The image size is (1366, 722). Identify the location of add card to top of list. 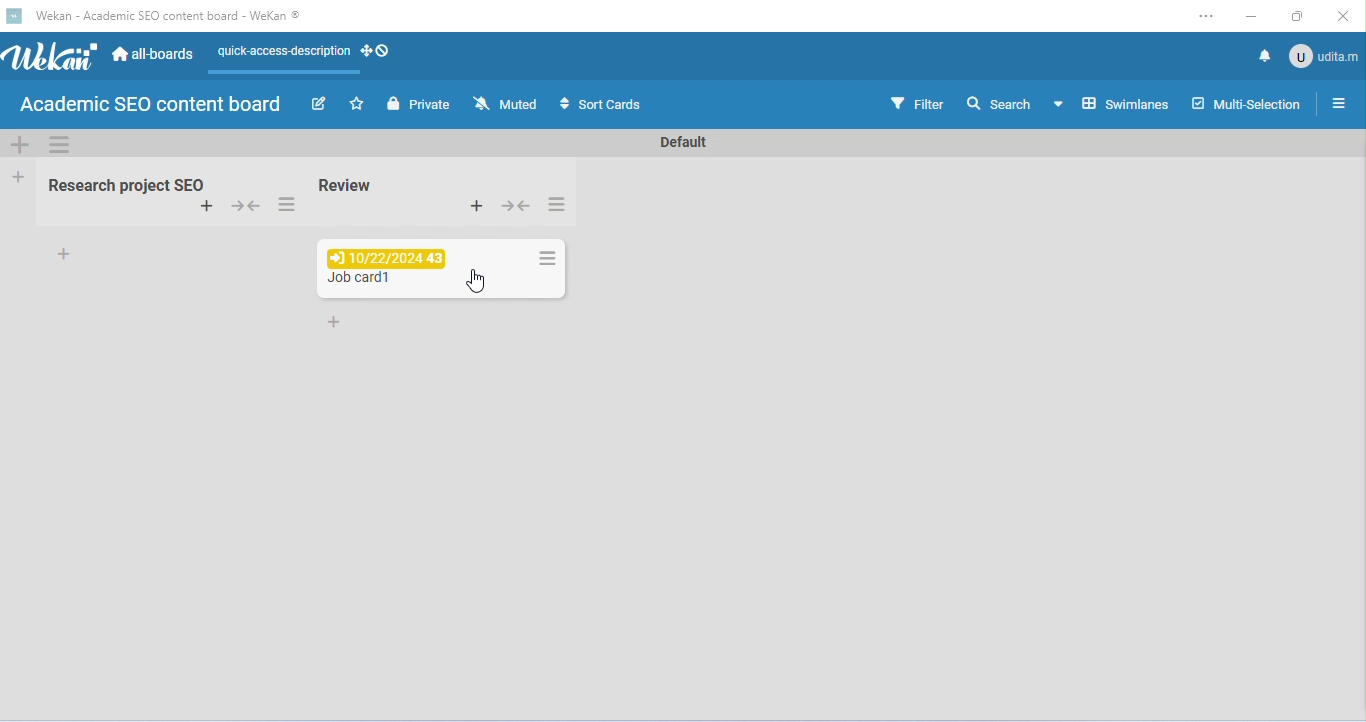
(475, 204).